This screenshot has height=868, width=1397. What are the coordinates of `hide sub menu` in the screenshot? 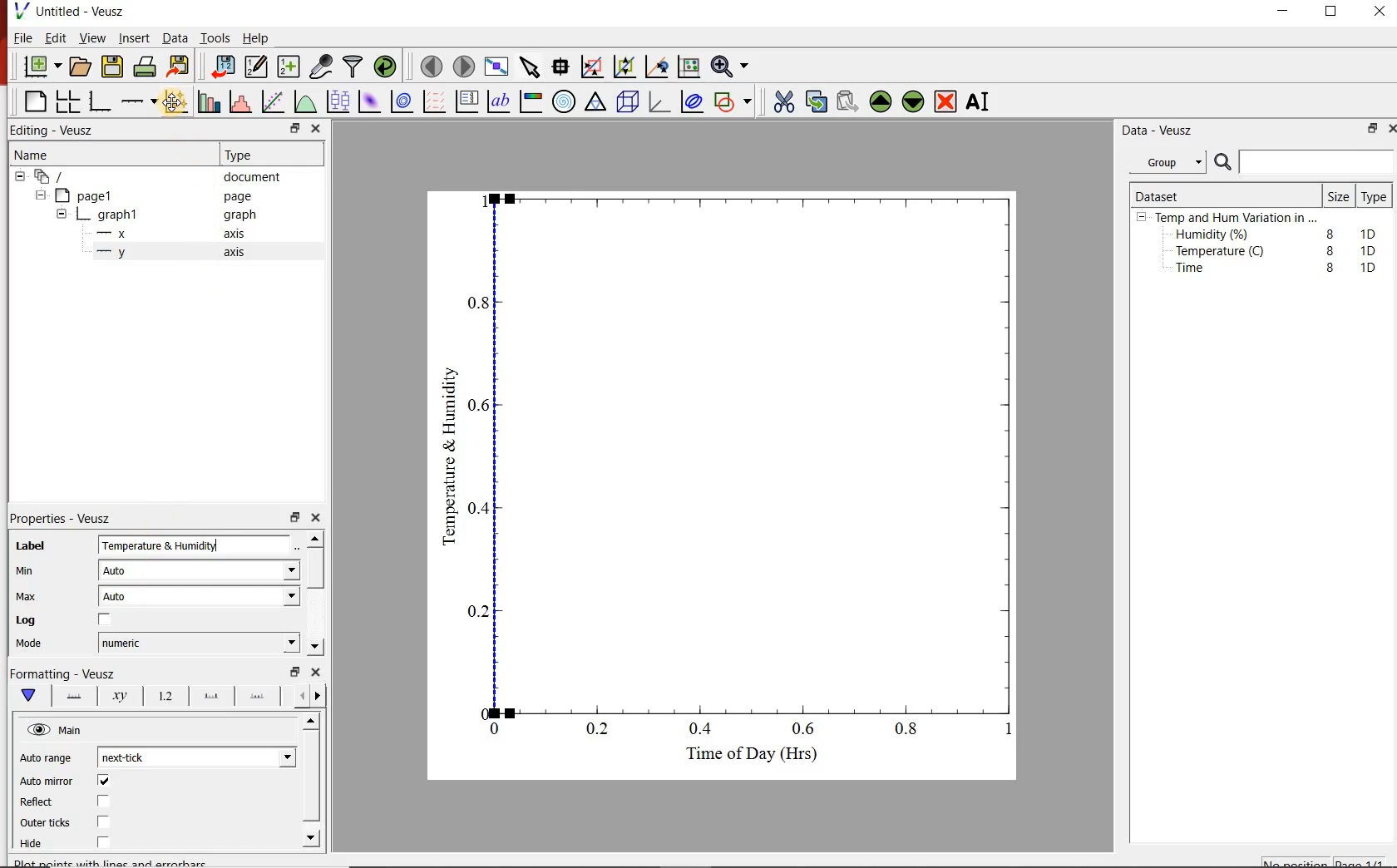 It's located at (1142, 219).